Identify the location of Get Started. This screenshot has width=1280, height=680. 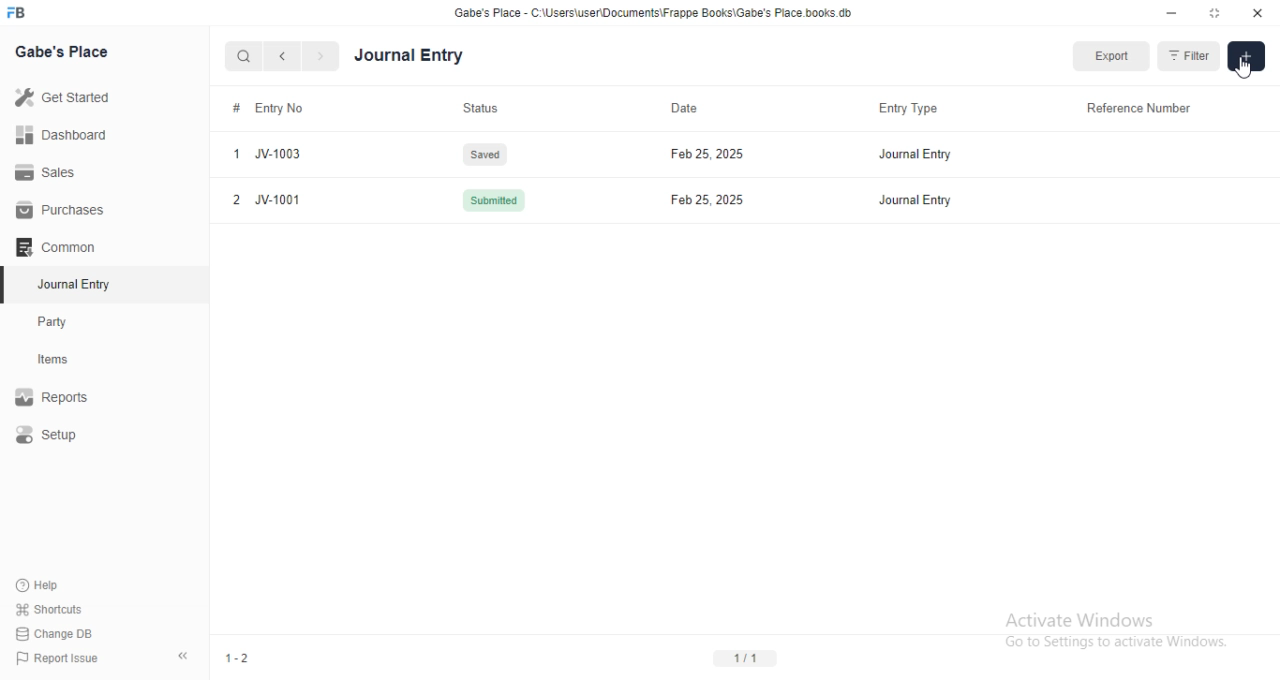
(66, 97).